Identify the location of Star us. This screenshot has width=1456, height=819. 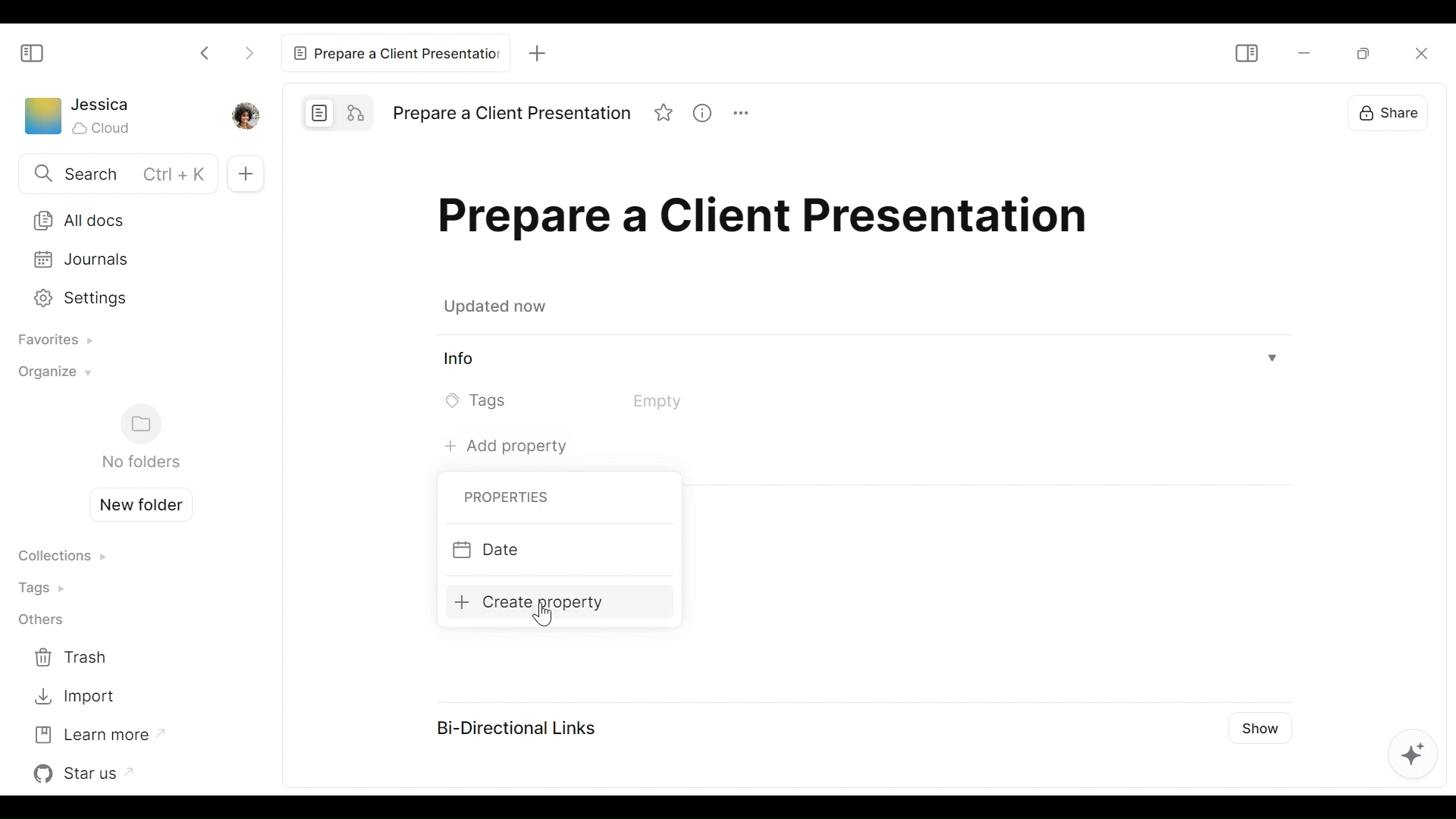
(87, 773).